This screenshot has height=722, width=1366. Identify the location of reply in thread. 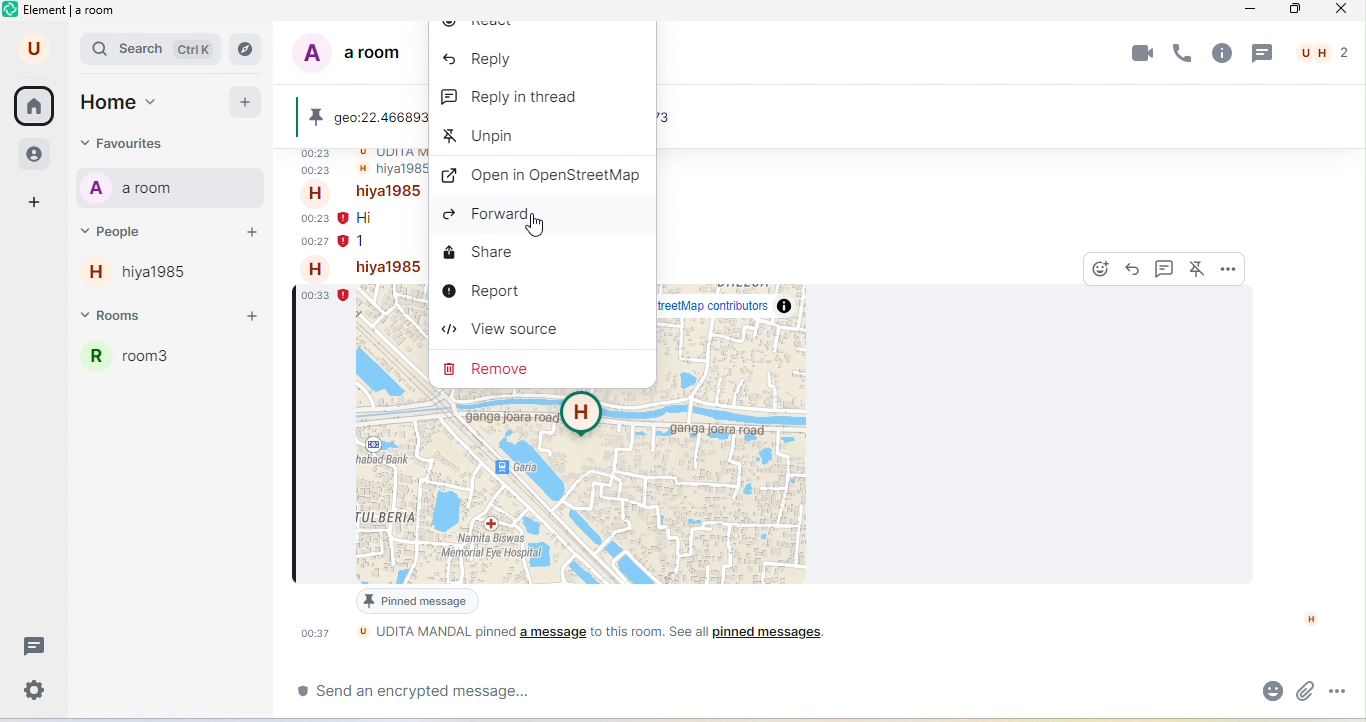
(1165, 268).